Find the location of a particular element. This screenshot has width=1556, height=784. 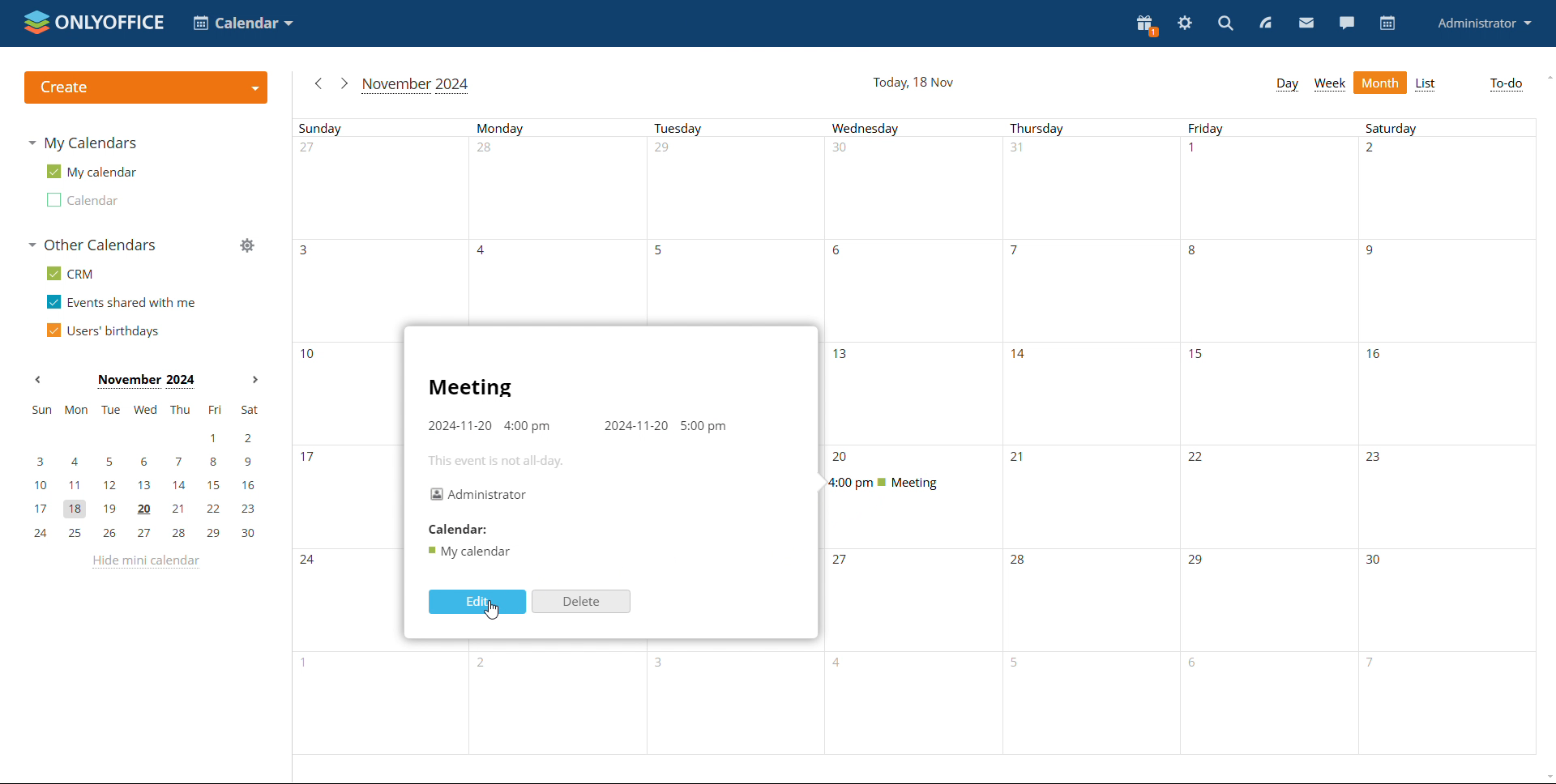

search is located at coordinates (1226, 23).